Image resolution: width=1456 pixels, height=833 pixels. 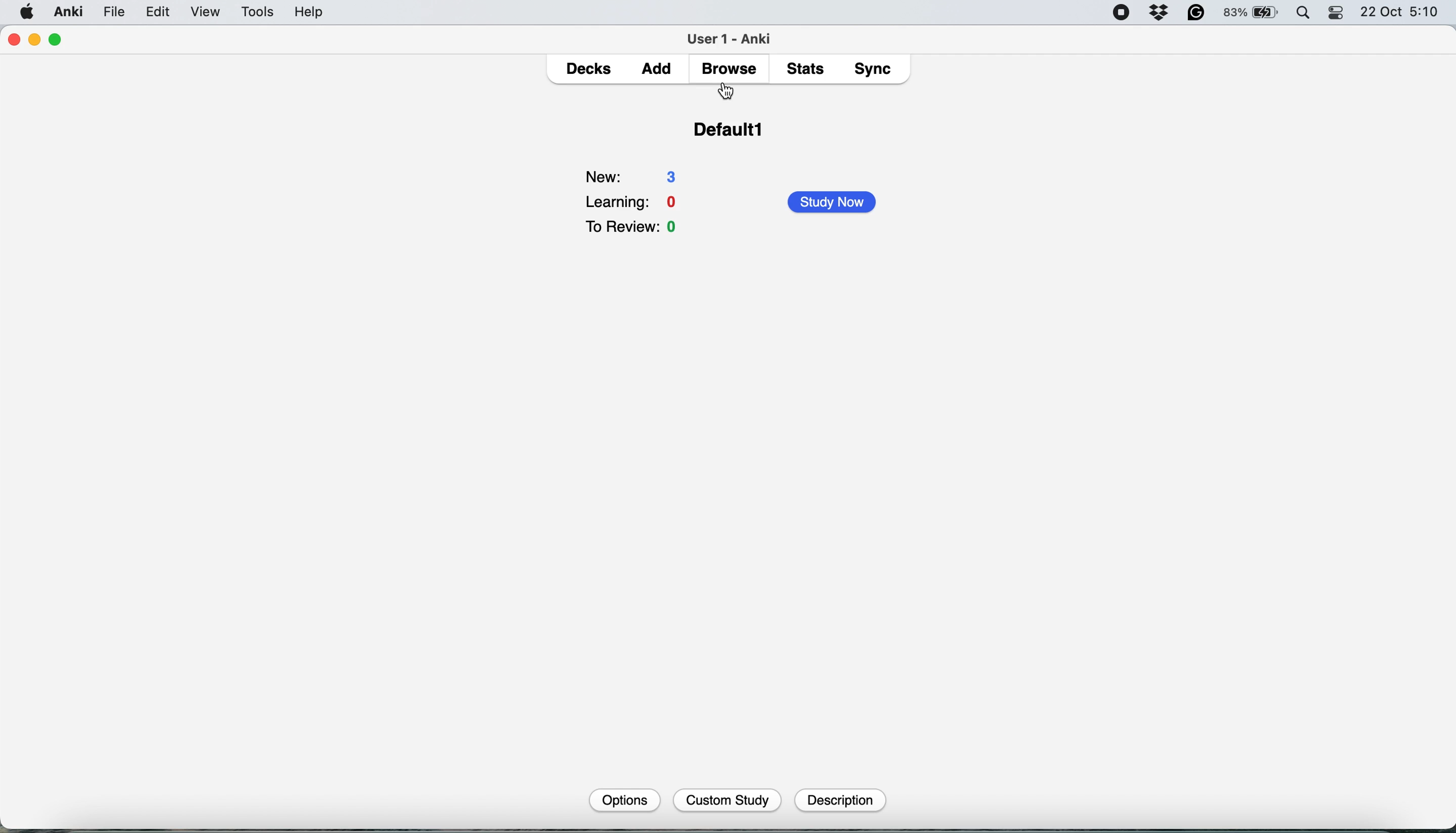 What do you see at coordinates (728, 69) in the screenshot?
I see `Browse` at bounding box center [728, 69].